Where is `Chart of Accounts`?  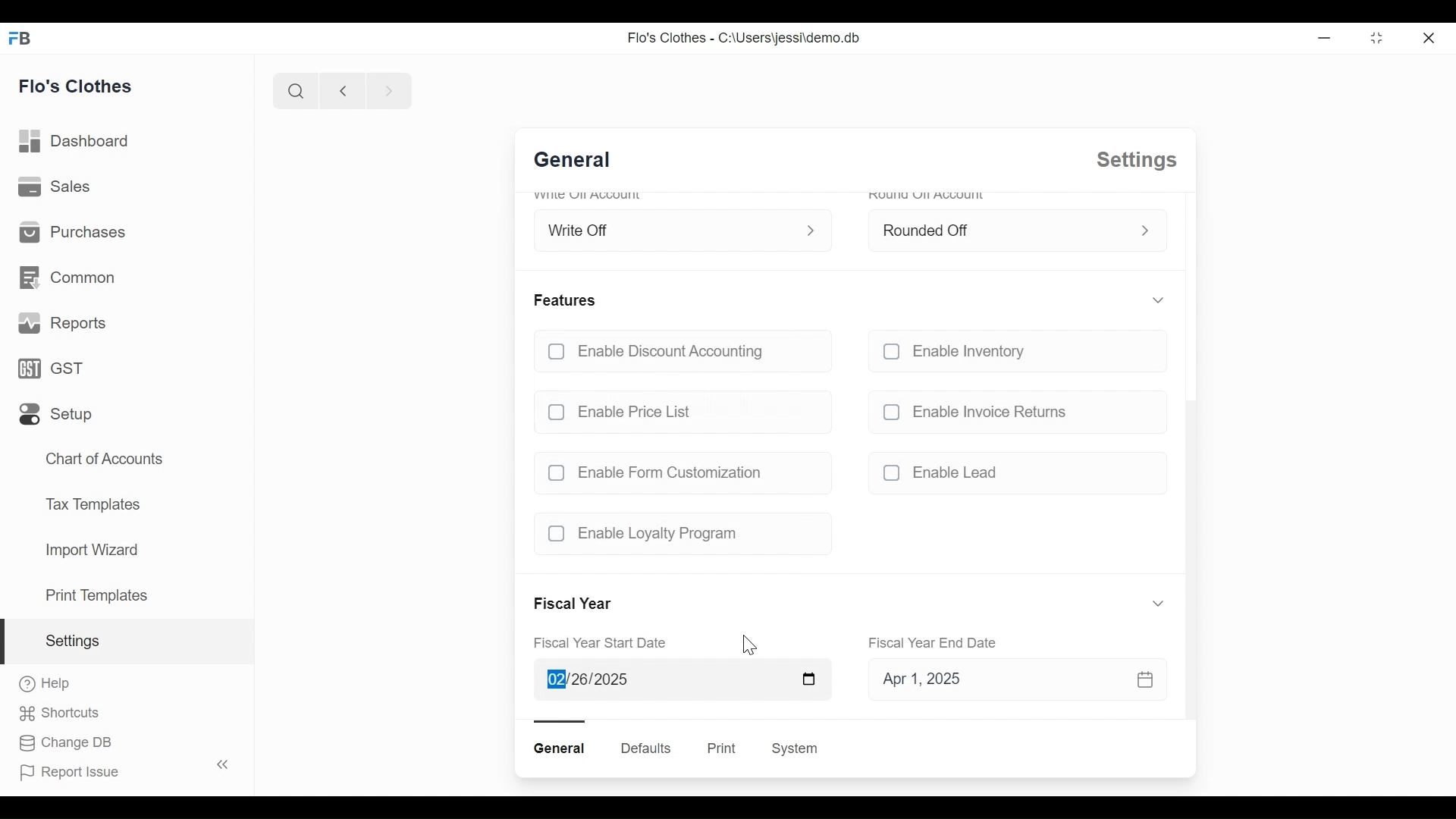
Chart of Accounts is located at coordinates (105, 457).